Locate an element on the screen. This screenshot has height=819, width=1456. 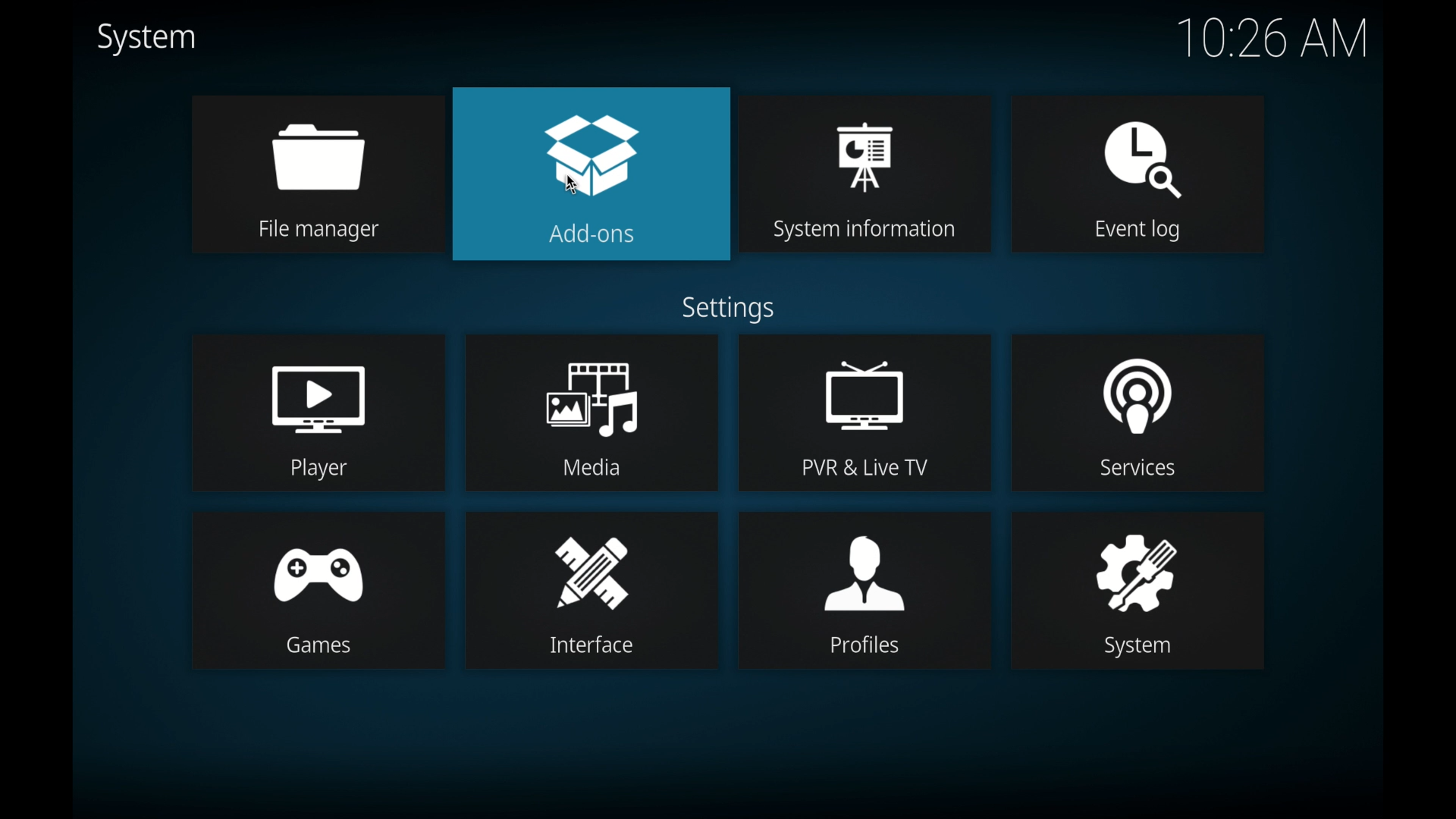
settings is located at coordinates (727, 310).